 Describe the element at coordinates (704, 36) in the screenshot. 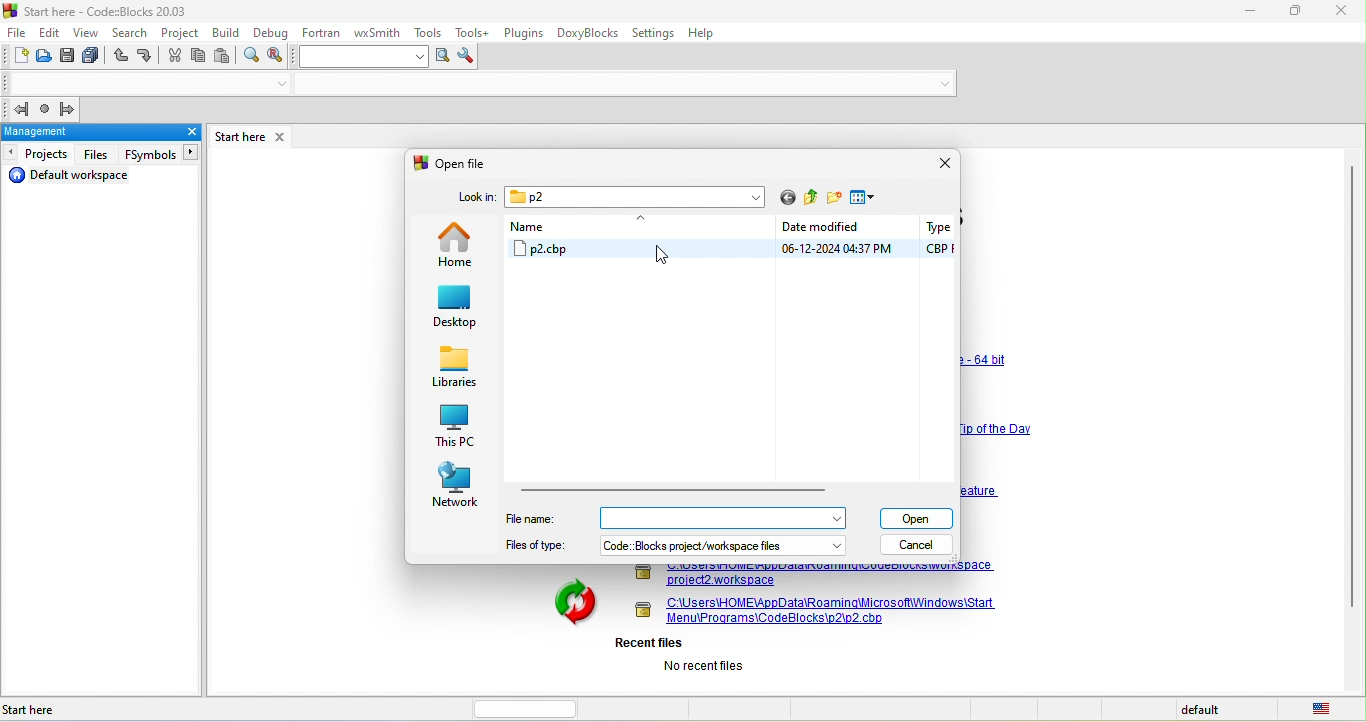

I see `help` at that location.